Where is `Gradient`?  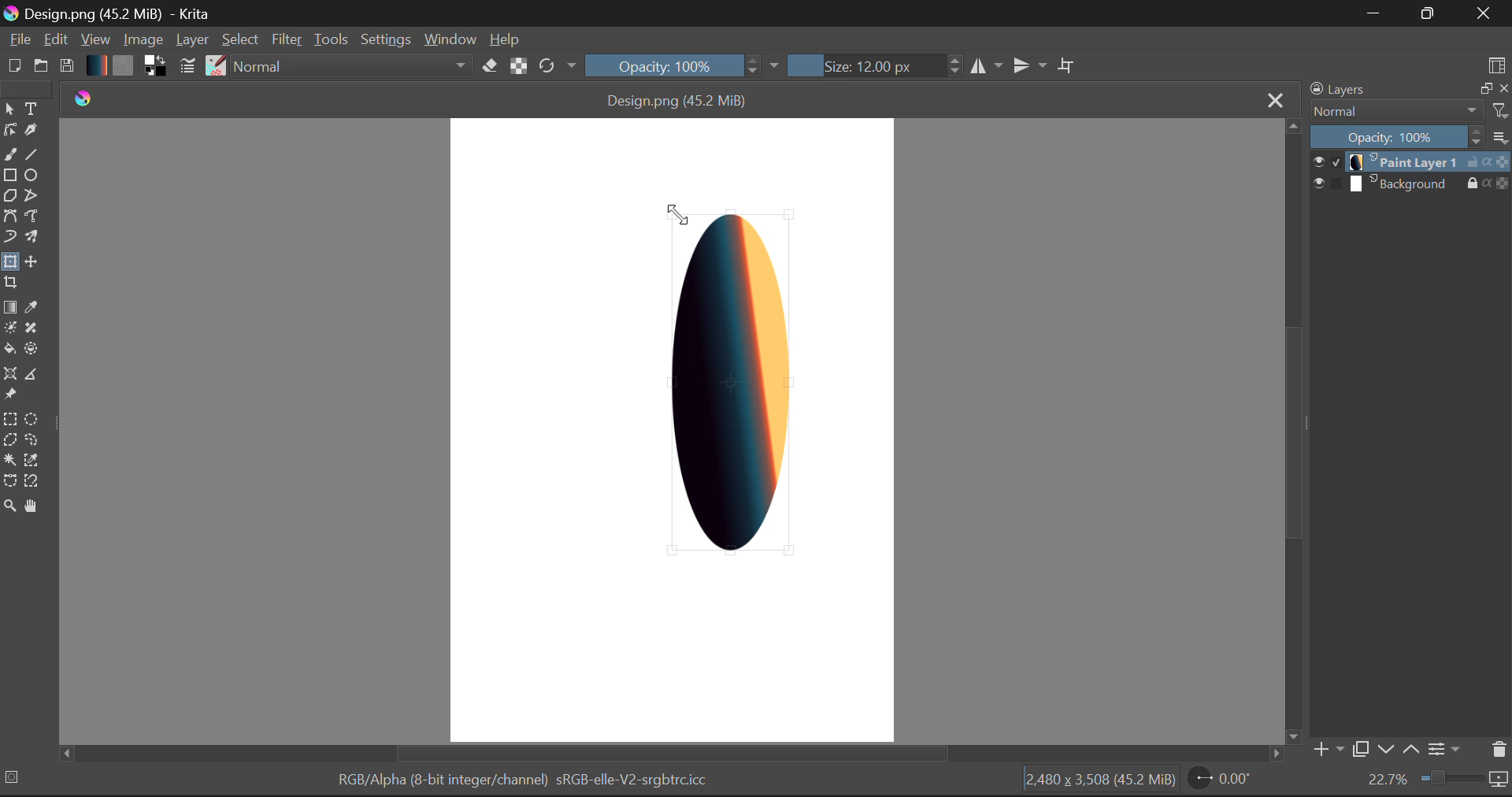 Gradient is located at coordinates (96, 65).